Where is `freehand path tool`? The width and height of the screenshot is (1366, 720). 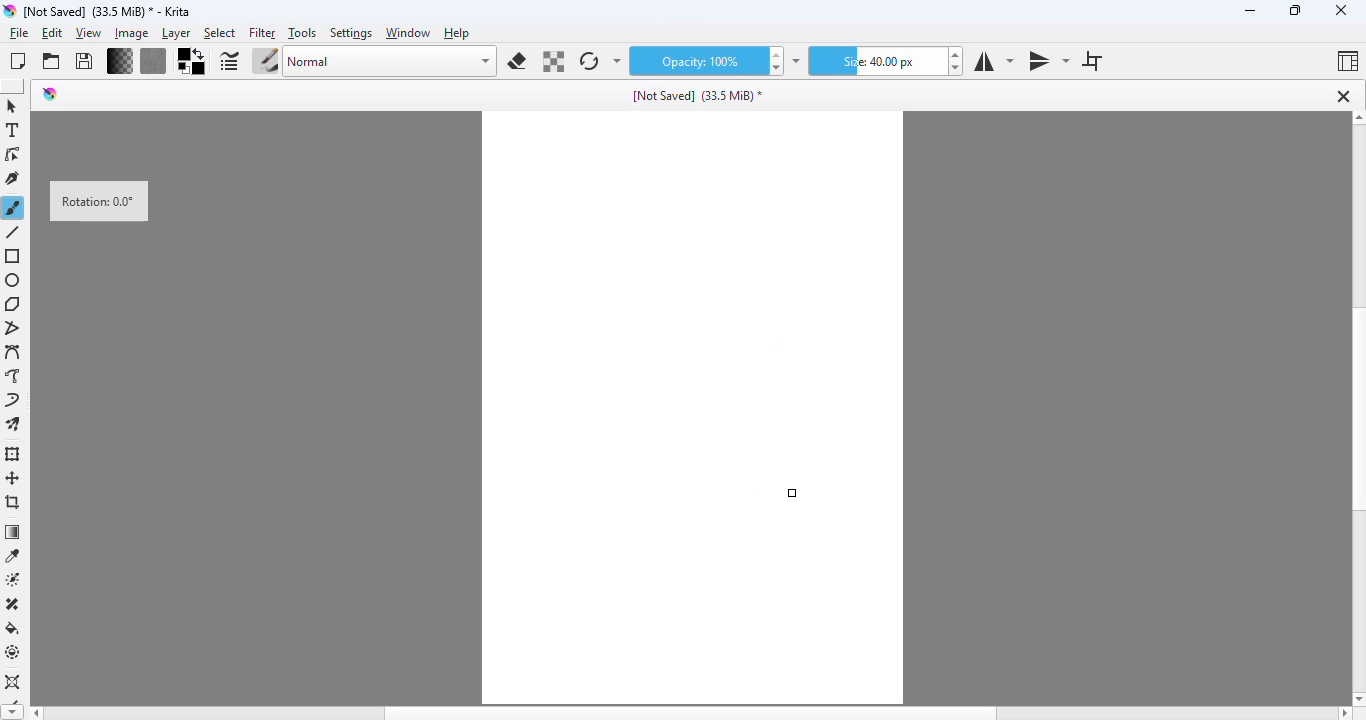 freehand path tool is located at coordinates (15, 376).